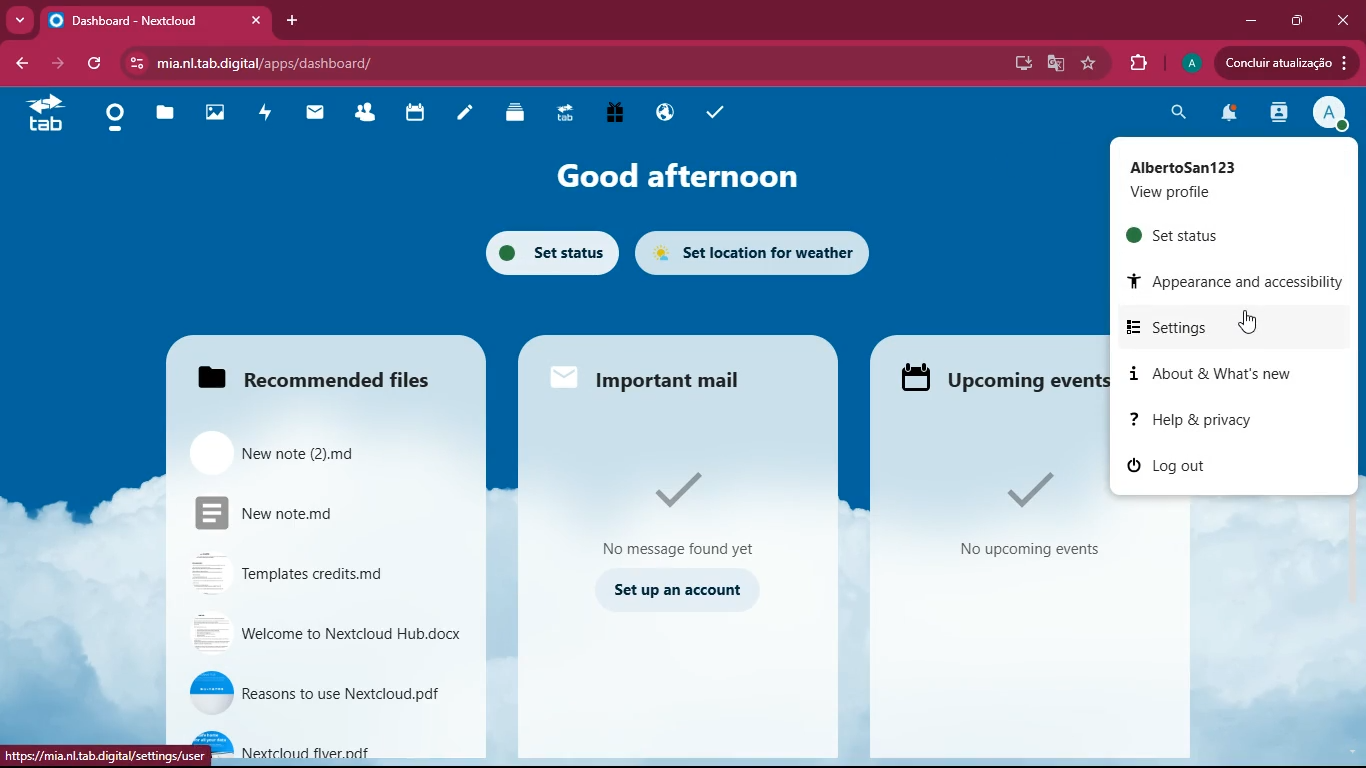  What do you see at coordinates (210, 115) in the screenshot?
I see `images` at bounding box center [210, 115].